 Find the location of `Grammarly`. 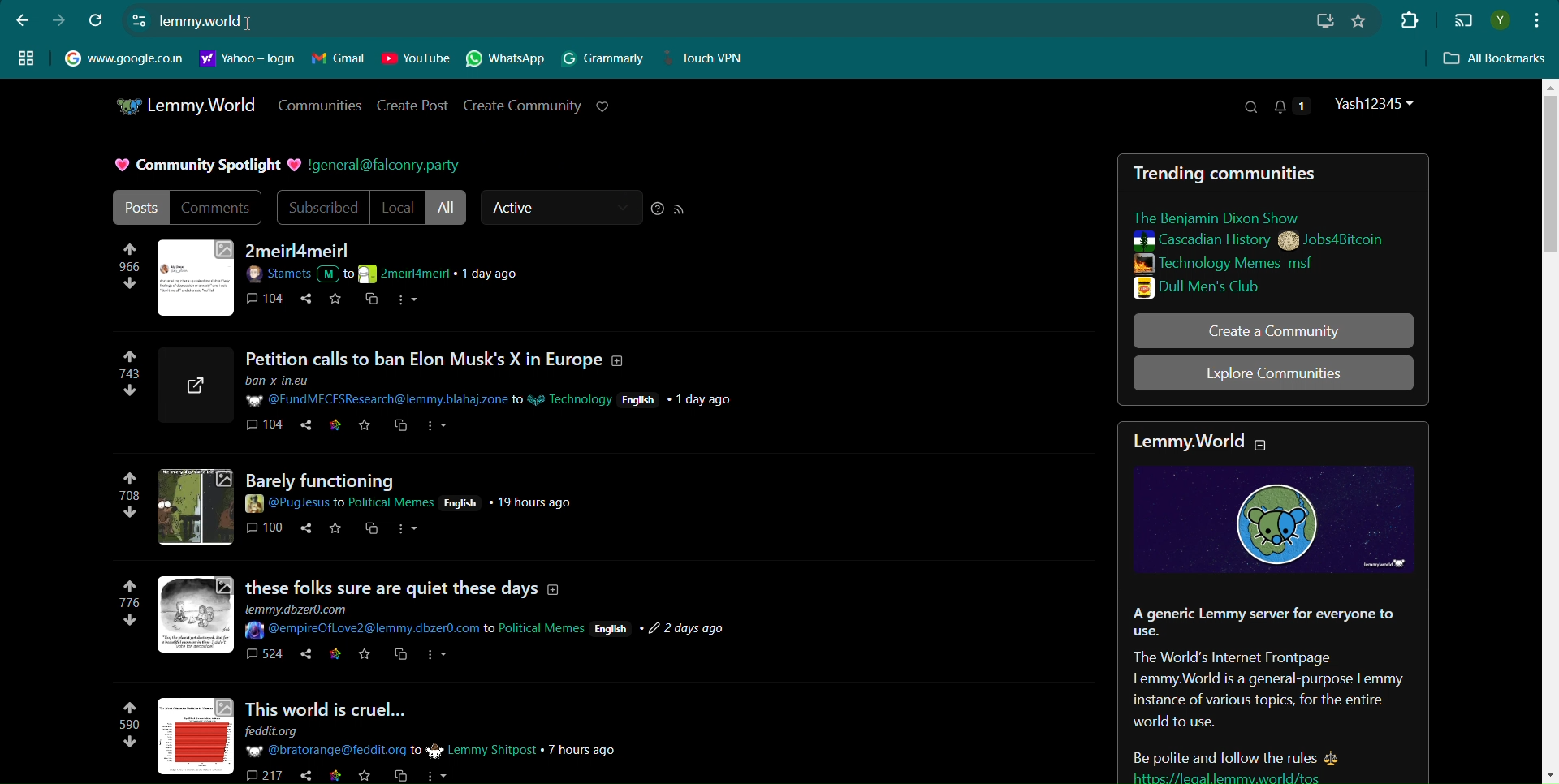

Grammarly is located at coordinates (604, 58).